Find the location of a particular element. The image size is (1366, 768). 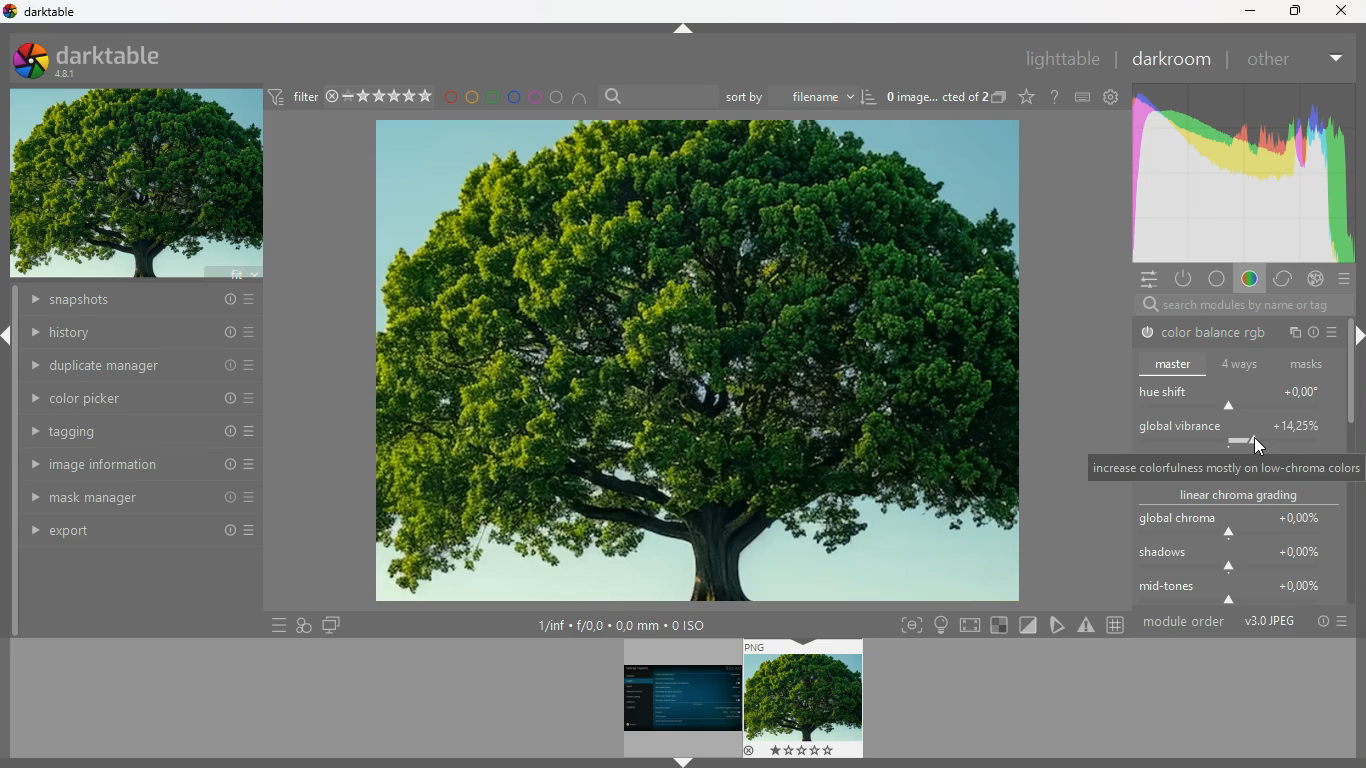

cursor is located at coordinates (1257, 449).